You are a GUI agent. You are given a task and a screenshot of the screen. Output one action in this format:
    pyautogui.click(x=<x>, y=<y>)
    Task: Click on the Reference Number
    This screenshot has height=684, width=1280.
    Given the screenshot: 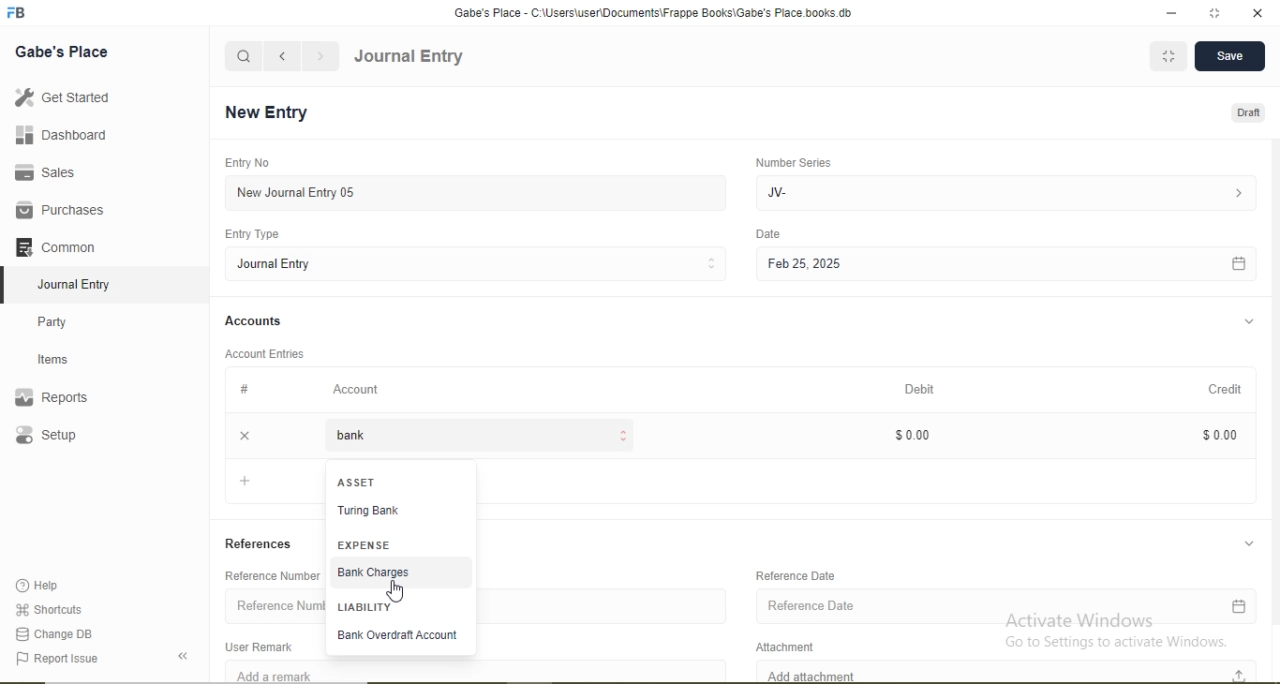 What is the action you would take?
    pyautogui.click(x=268, y=575)
    